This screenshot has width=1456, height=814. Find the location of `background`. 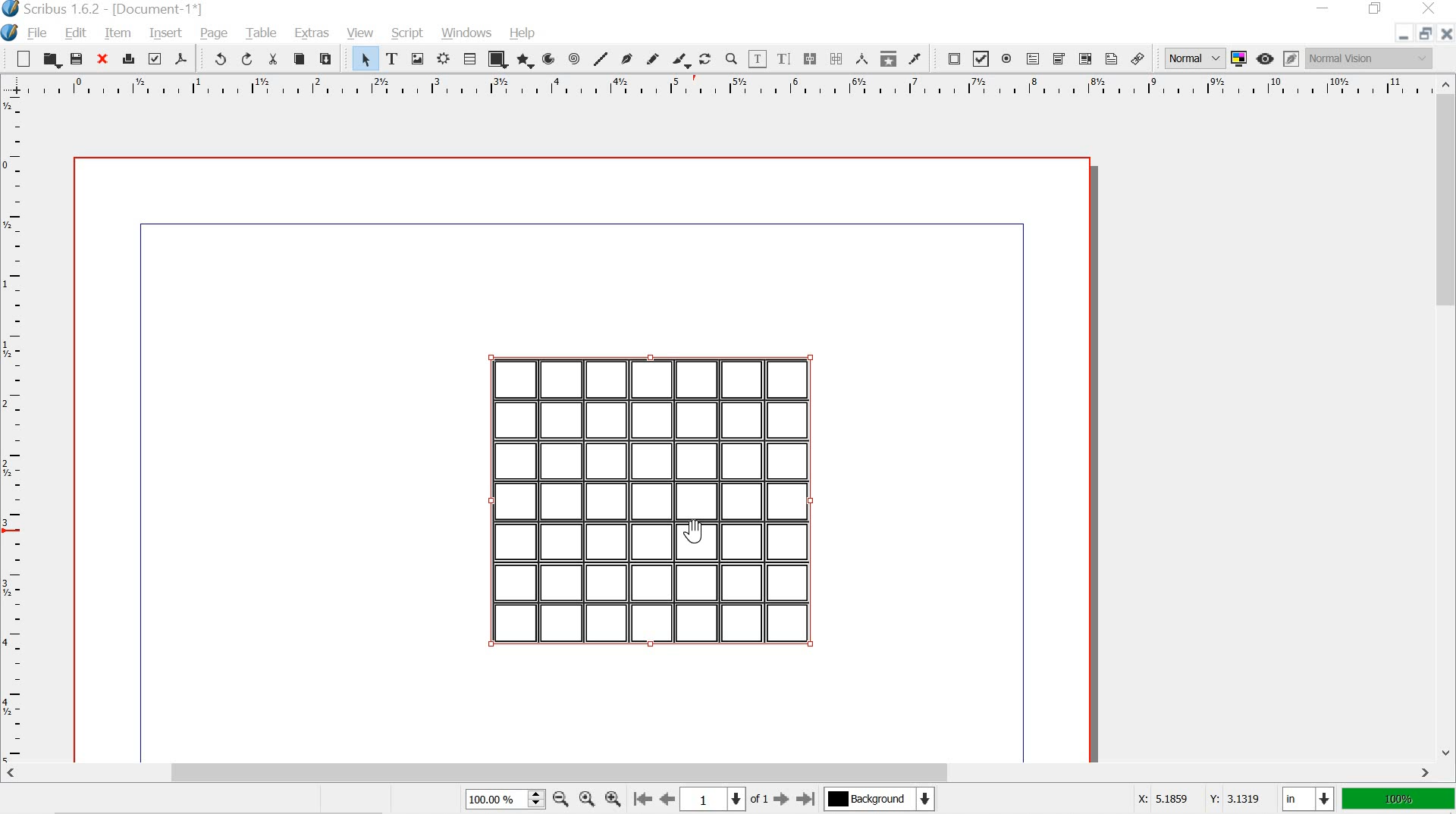

background is located at coordinates (884, 799).